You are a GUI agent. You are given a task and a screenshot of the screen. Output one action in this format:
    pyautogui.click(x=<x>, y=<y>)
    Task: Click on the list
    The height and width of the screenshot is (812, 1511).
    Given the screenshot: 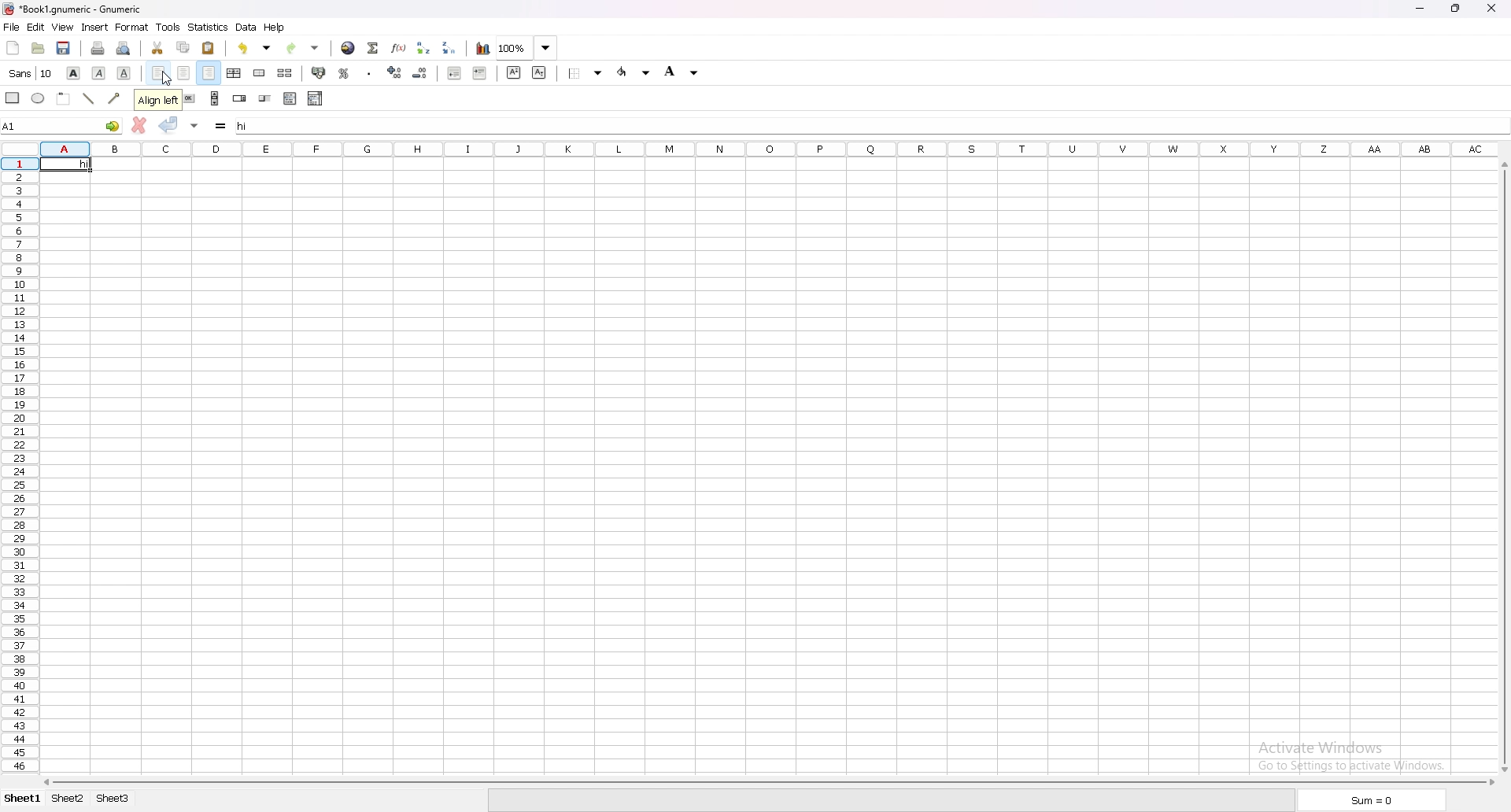 What is the action you would take?
    pyautogui.click(x=290, y=98)
    